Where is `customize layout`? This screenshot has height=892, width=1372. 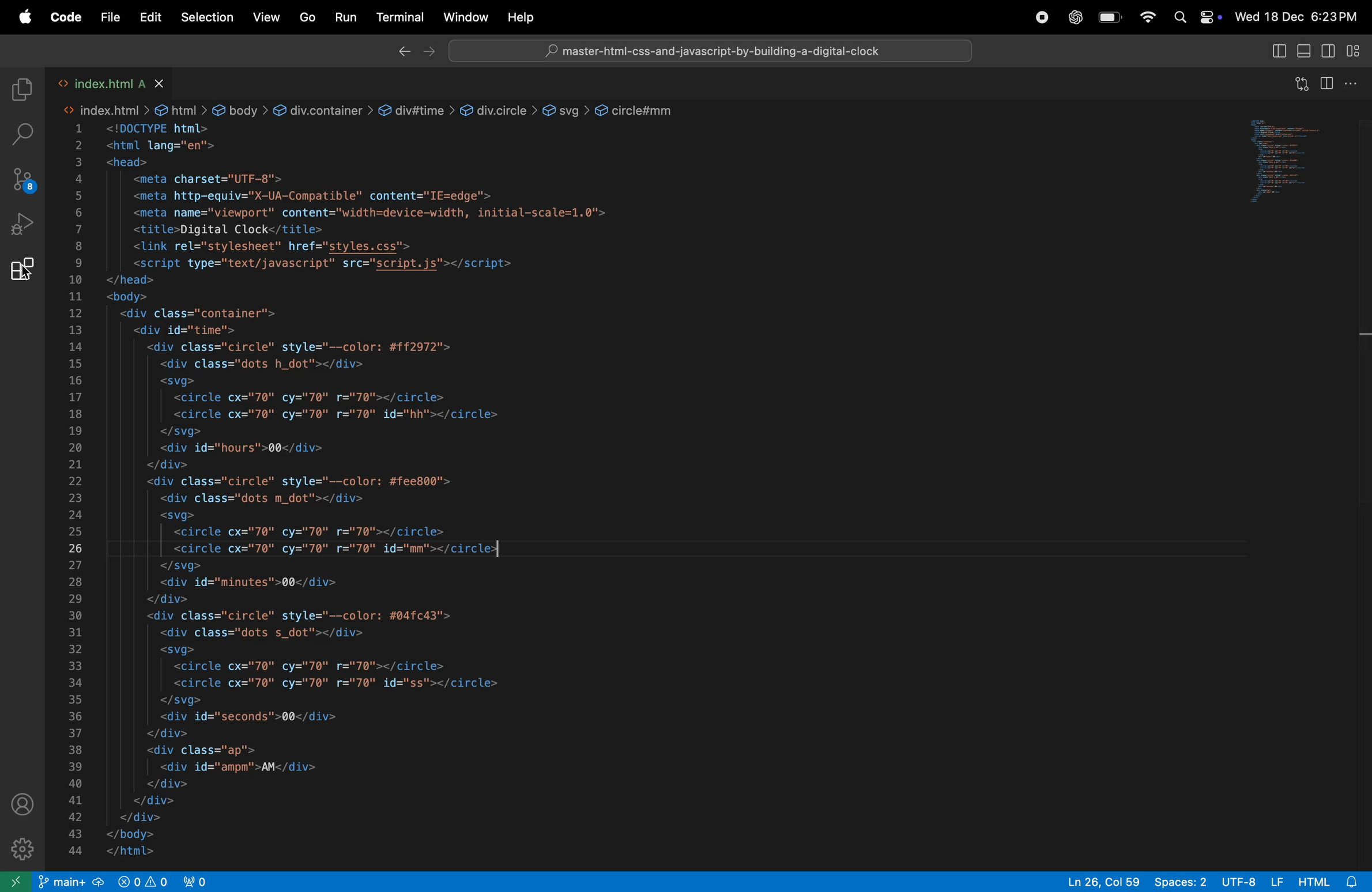
customize layout is located at coordinates (1358, 52).